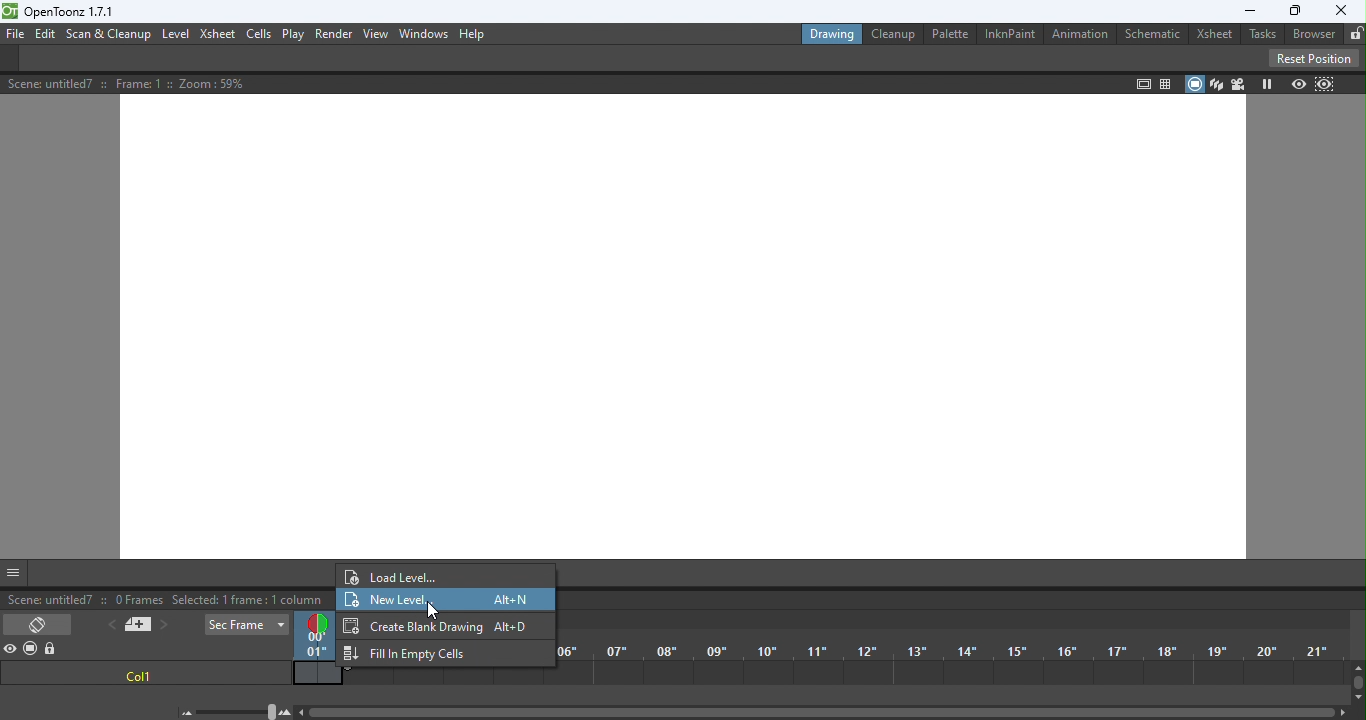  Describe the element at coordinates (377, 35) in the screenshot. I see `View` at that location.